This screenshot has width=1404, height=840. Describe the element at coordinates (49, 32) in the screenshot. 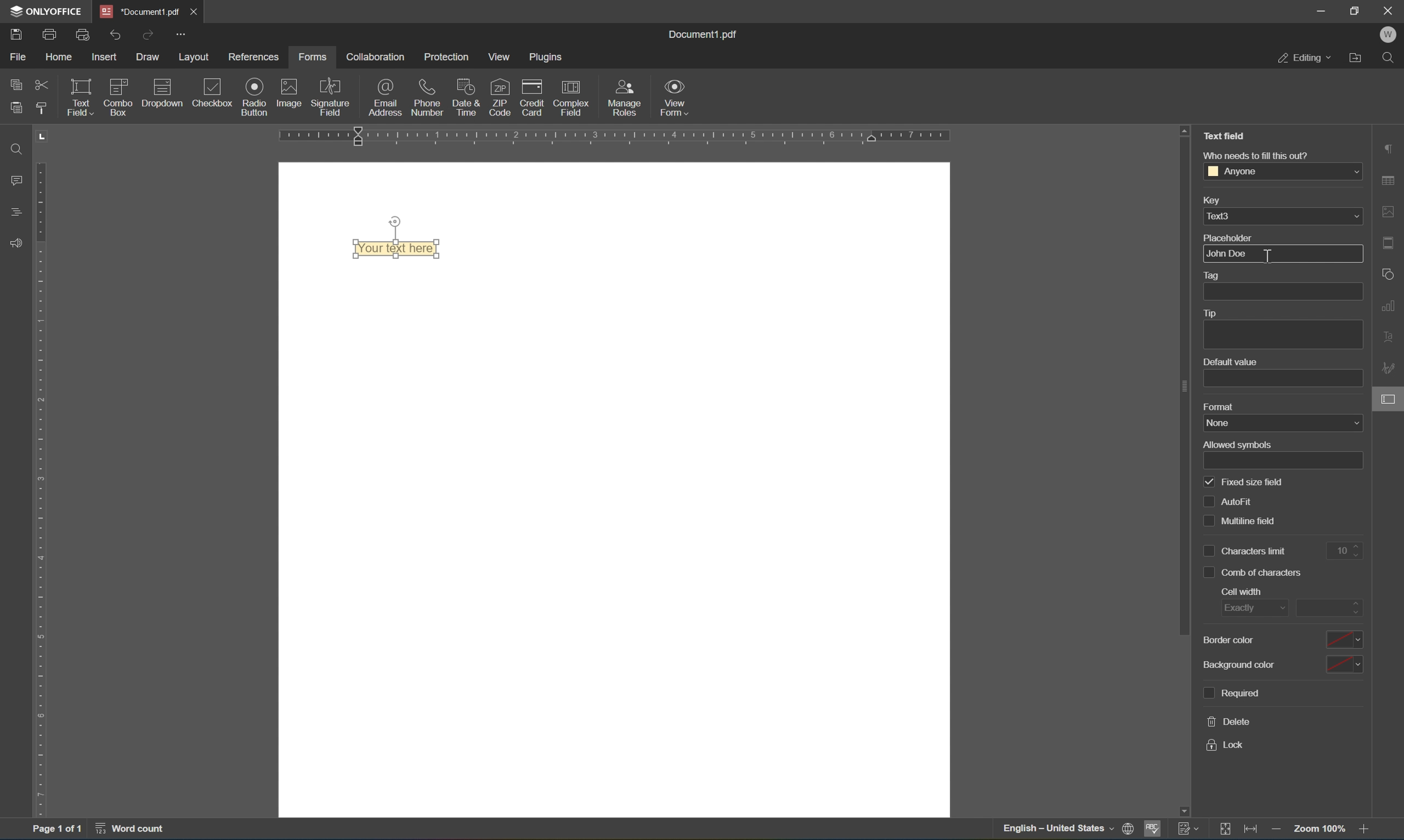

I see `print` at that location.